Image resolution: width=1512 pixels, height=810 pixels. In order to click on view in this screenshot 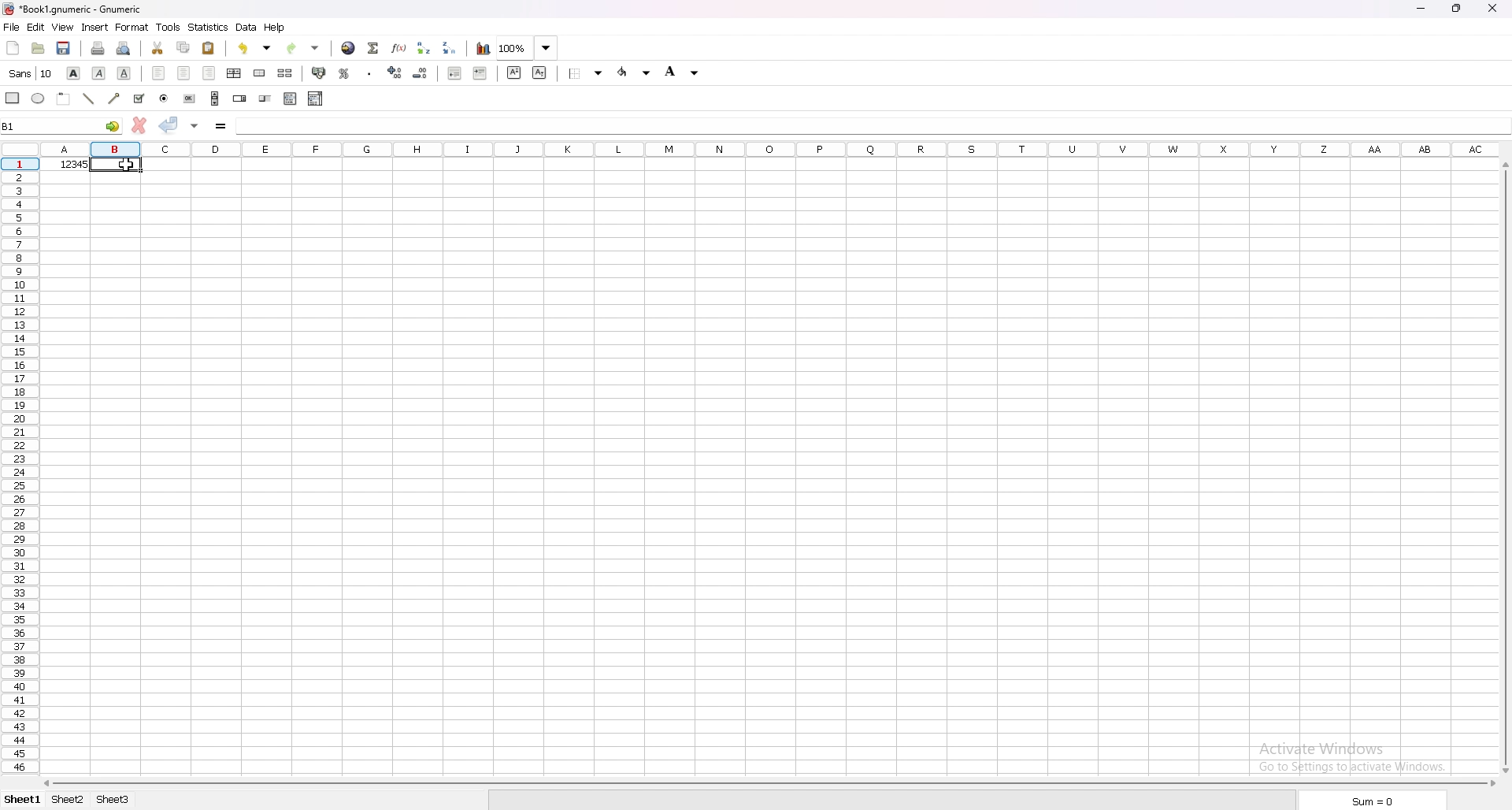, I will do `click(63, 28)`.